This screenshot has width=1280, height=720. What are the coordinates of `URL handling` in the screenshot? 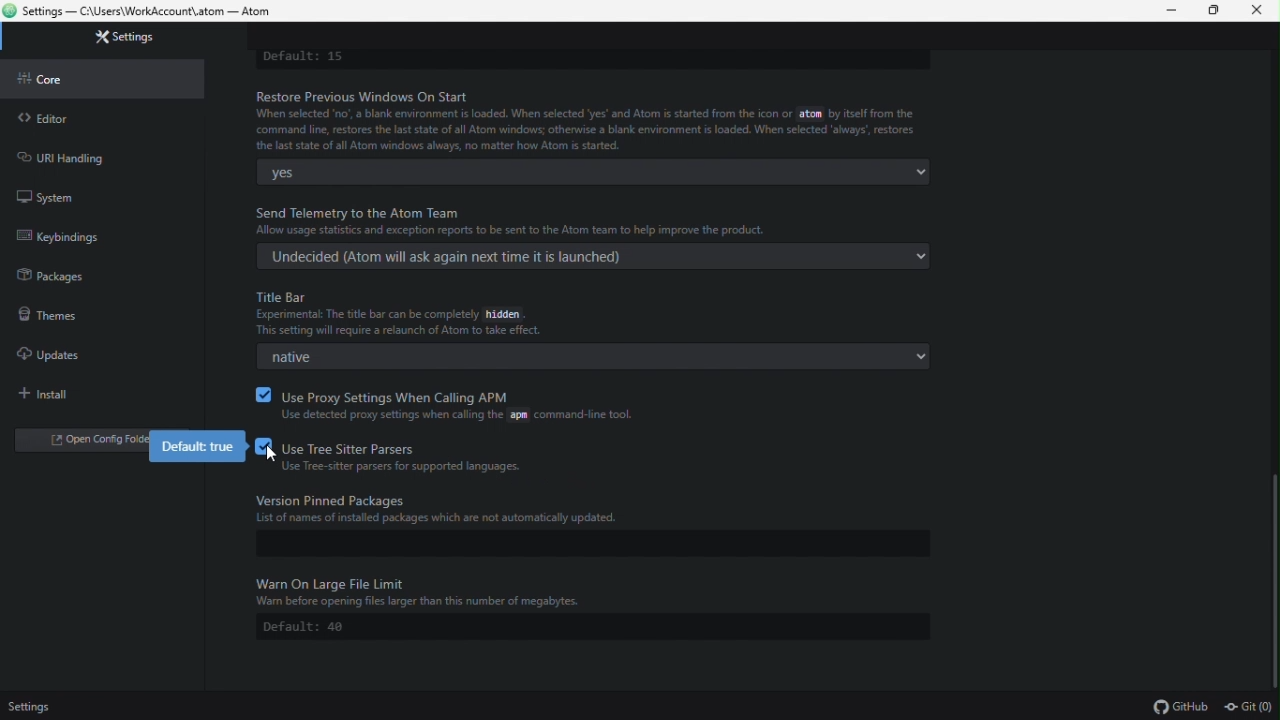 It's located at (69, 156).